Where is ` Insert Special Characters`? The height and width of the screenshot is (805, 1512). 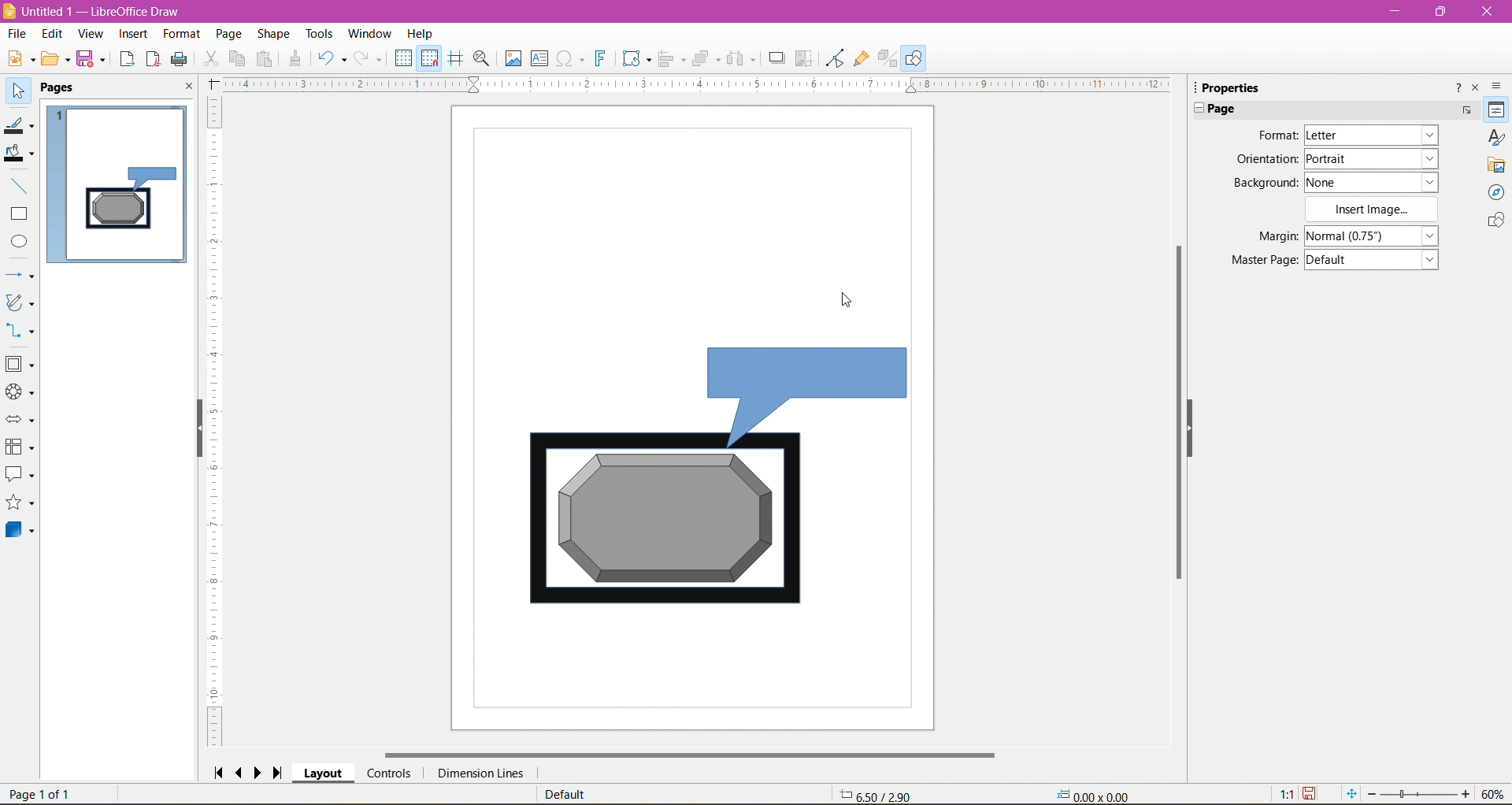  Insert Special Characters is located at coordinates (571, 59).